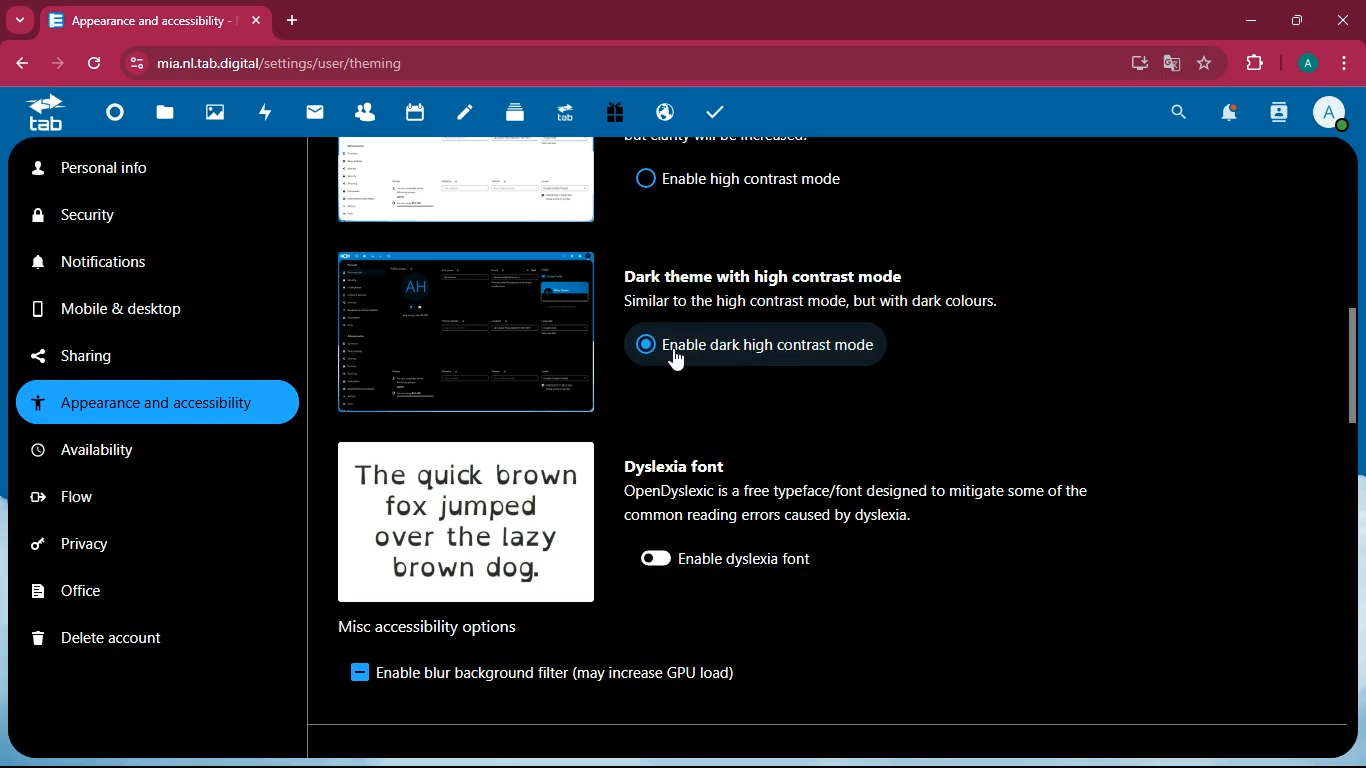 Image resolution: width=1366 pixels, height=768 pixels. What do you see at coordinates (20, 64) in the screenshot?
I see `back` at bounding box center [20, 64].